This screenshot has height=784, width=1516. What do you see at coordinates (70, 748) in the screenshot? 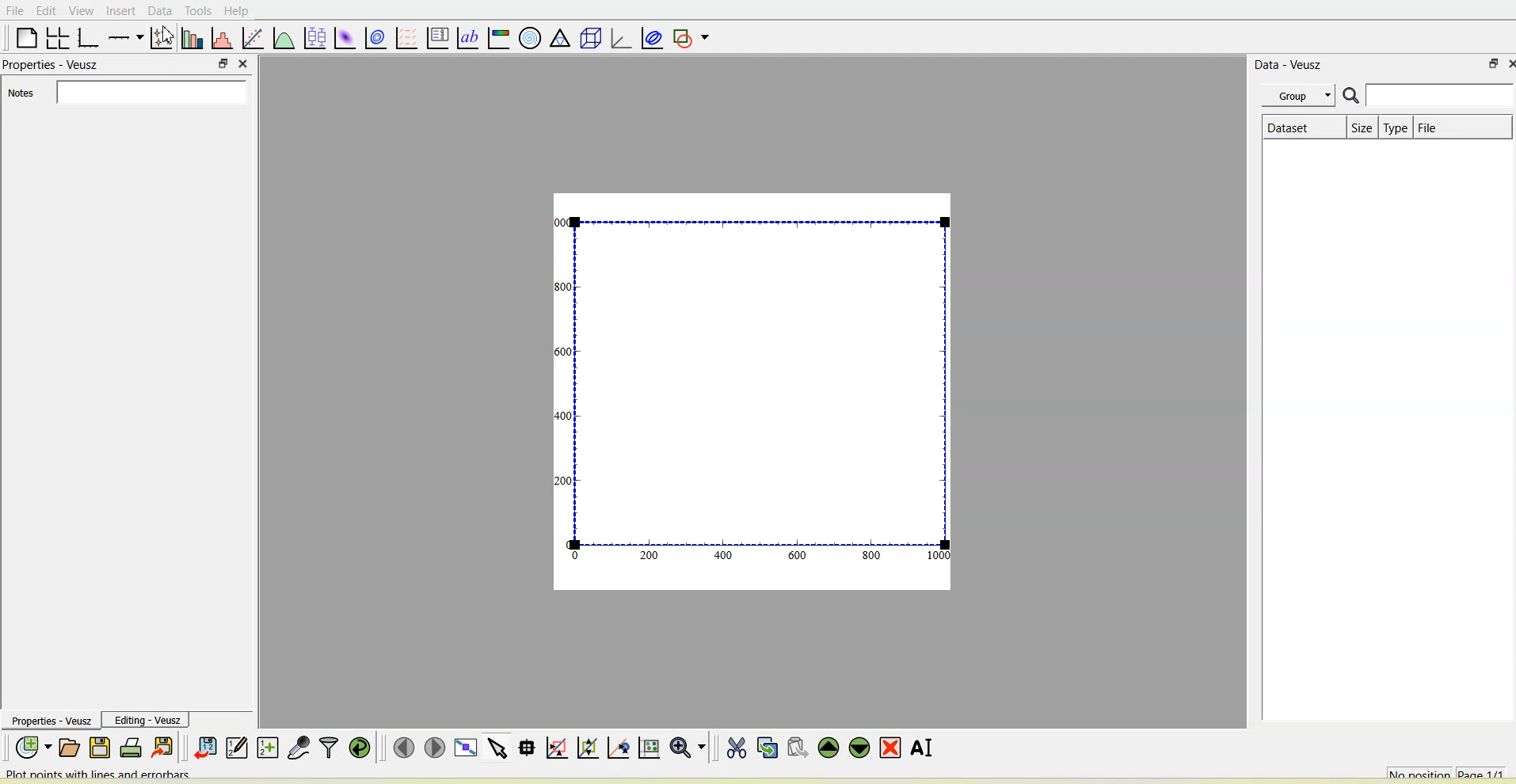
I see `Open a document` at bounding box center [70, 748].